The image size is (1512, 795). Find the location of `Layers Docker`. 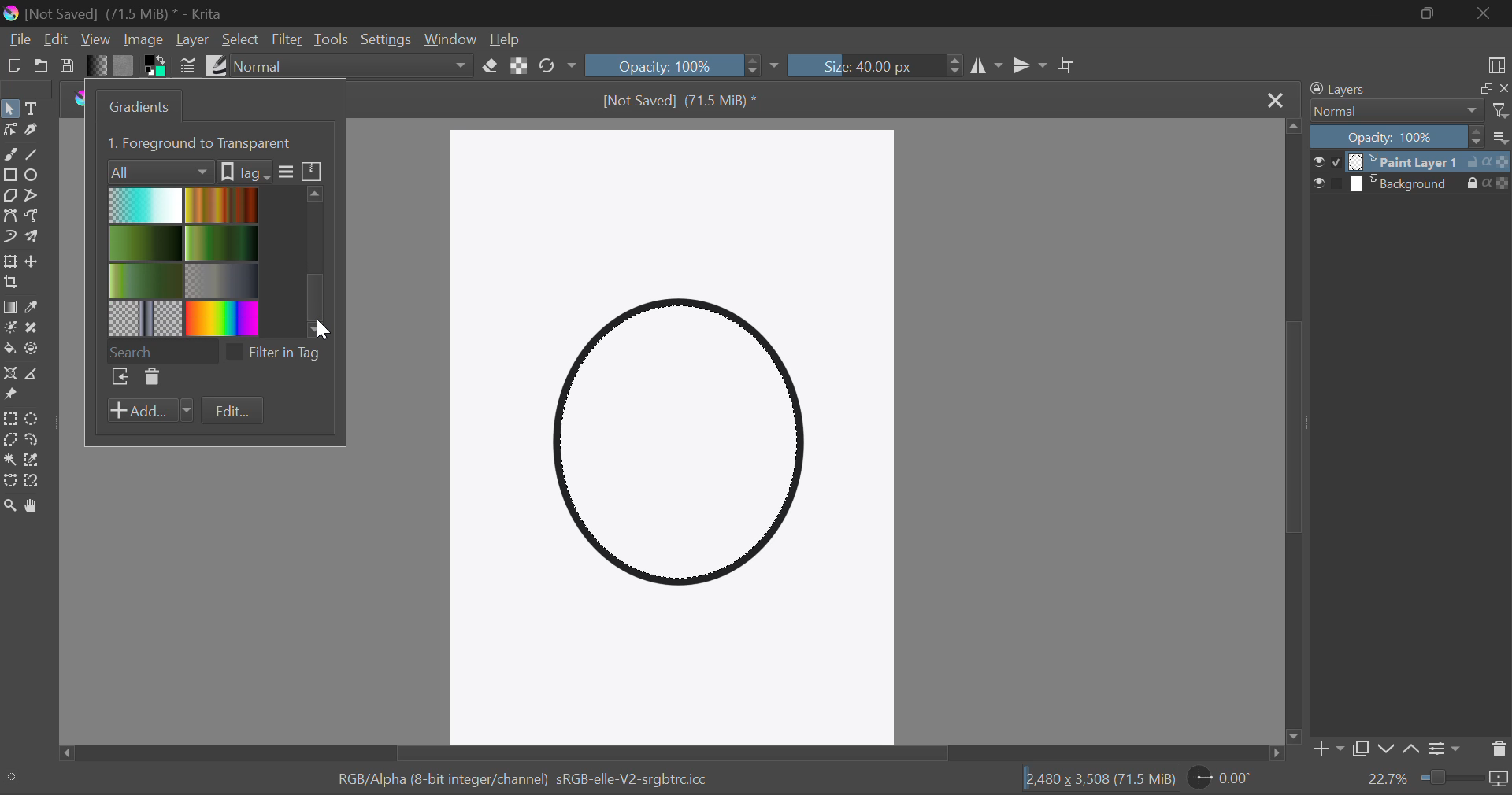

Layers Docker is located at coordinates (1352, 89).